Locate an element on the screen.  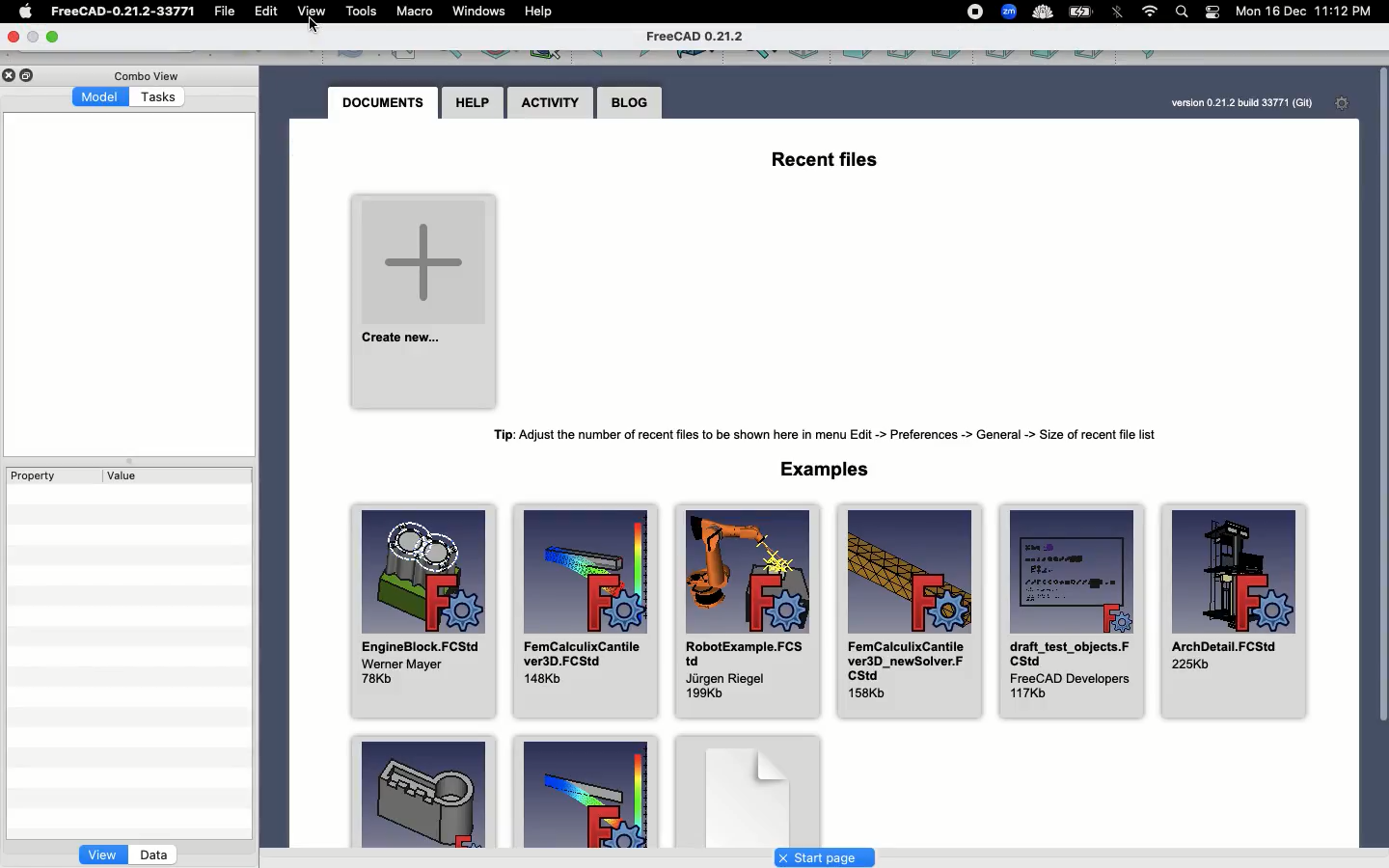
Window is located at coordinates (477, 13).